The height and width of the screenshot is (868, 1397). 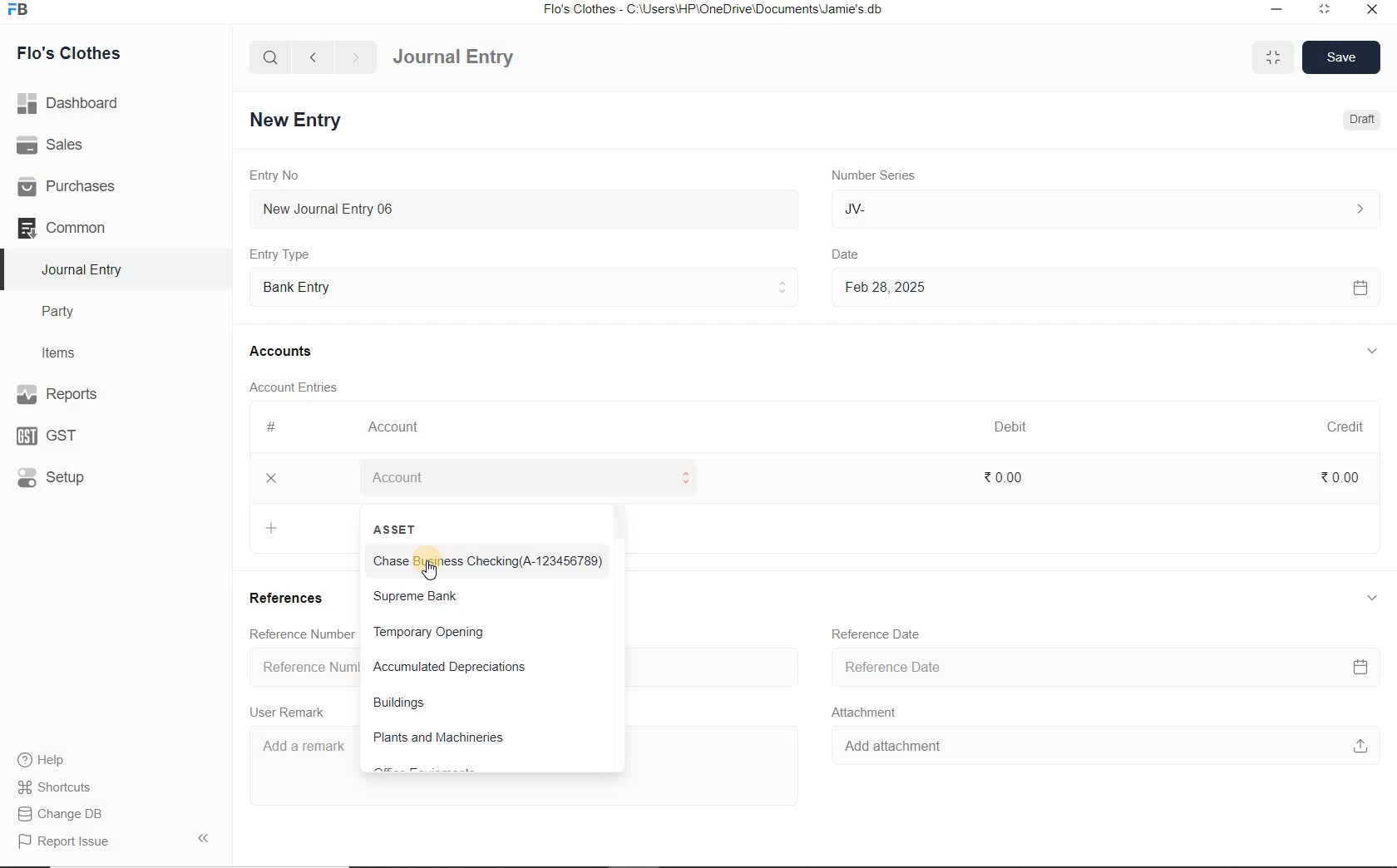 What do you see at coordinates (284, 351) in the screenshot?
I see `Accounts` at bounding box center [284, 351].